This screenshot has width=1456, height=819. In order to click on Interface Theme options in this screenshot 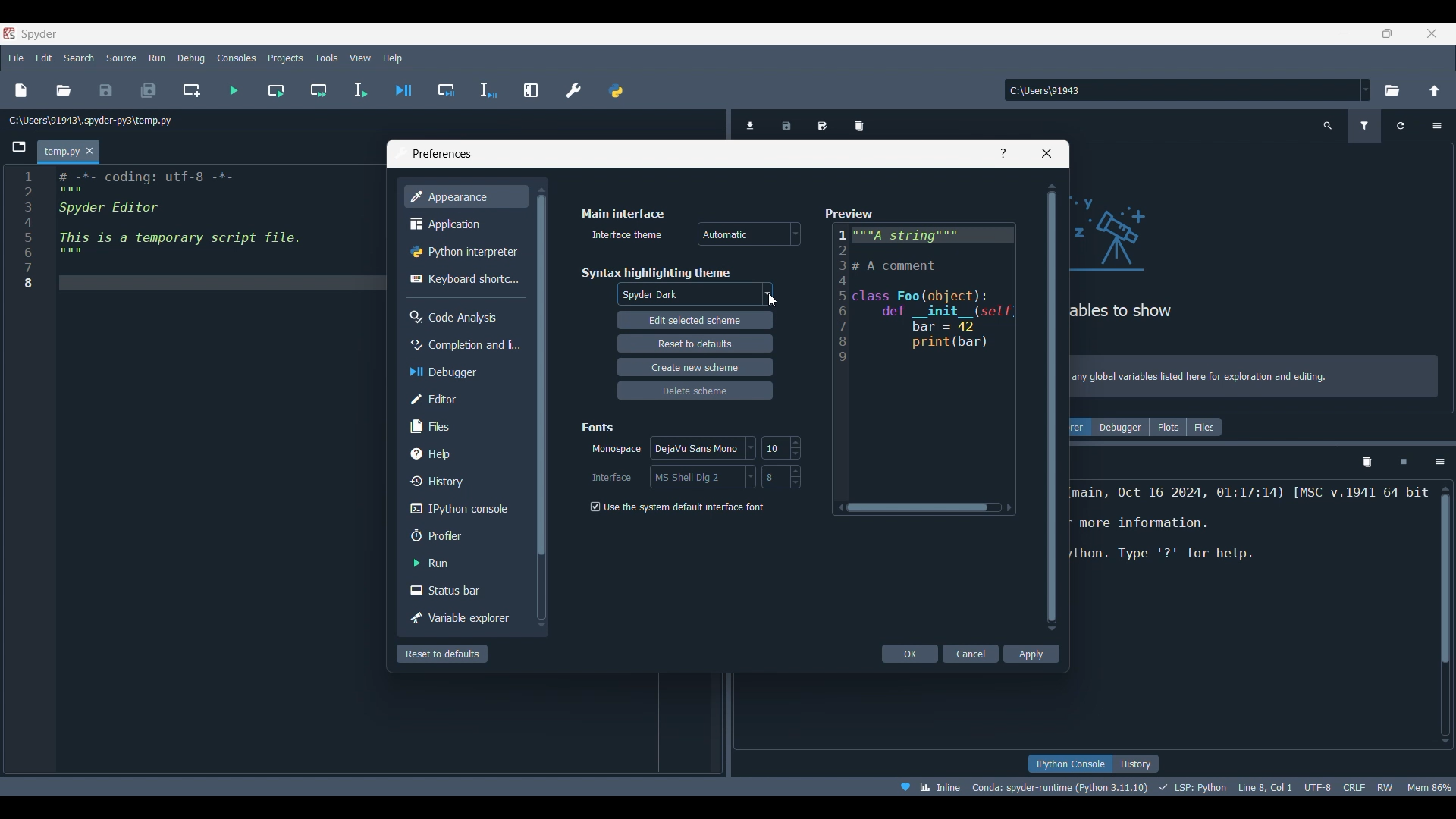, I will do `click(749, 234)`.